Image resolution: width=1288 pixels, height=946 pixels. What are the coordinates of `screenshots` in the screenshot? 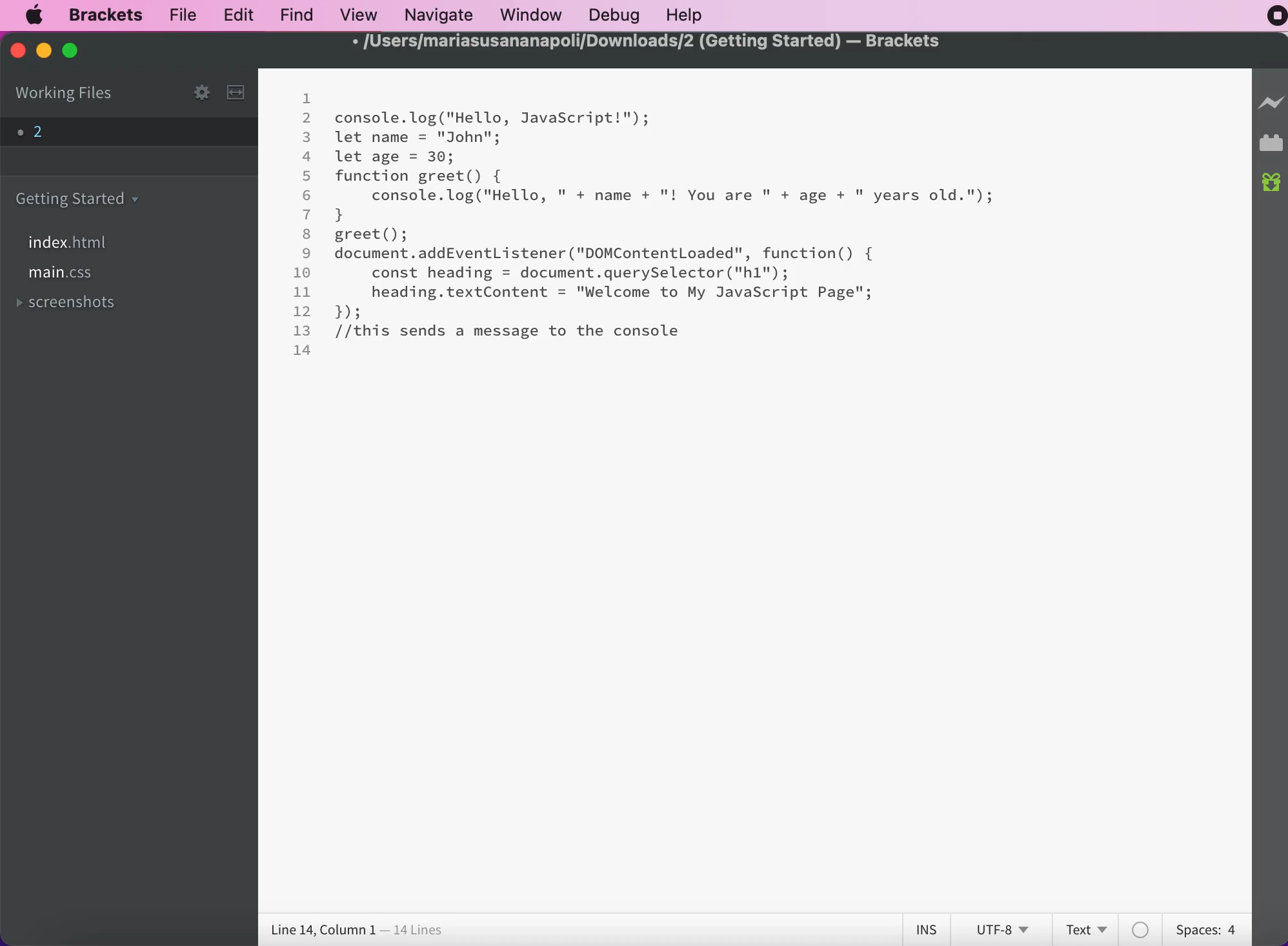 It's located at (88, 303).